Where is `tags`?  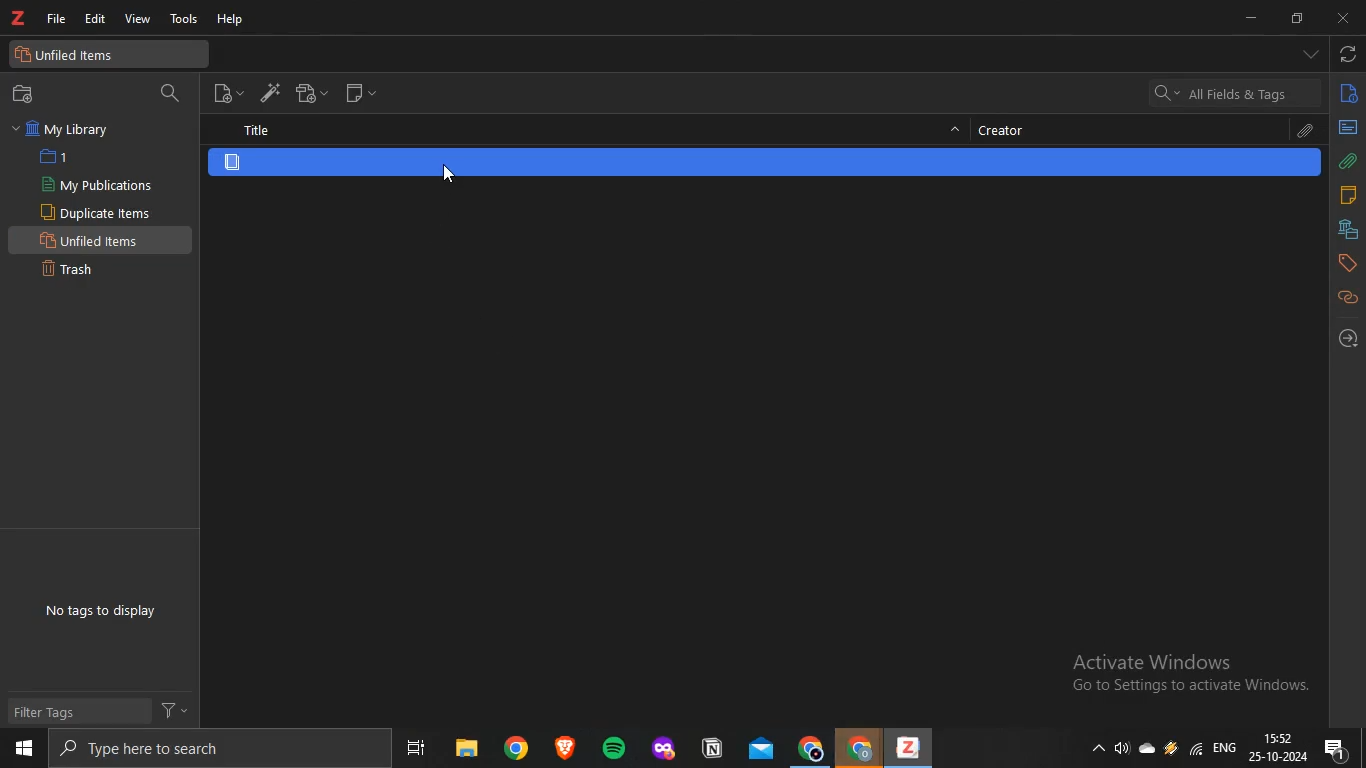
tags is located at coordinates (1348, 262).